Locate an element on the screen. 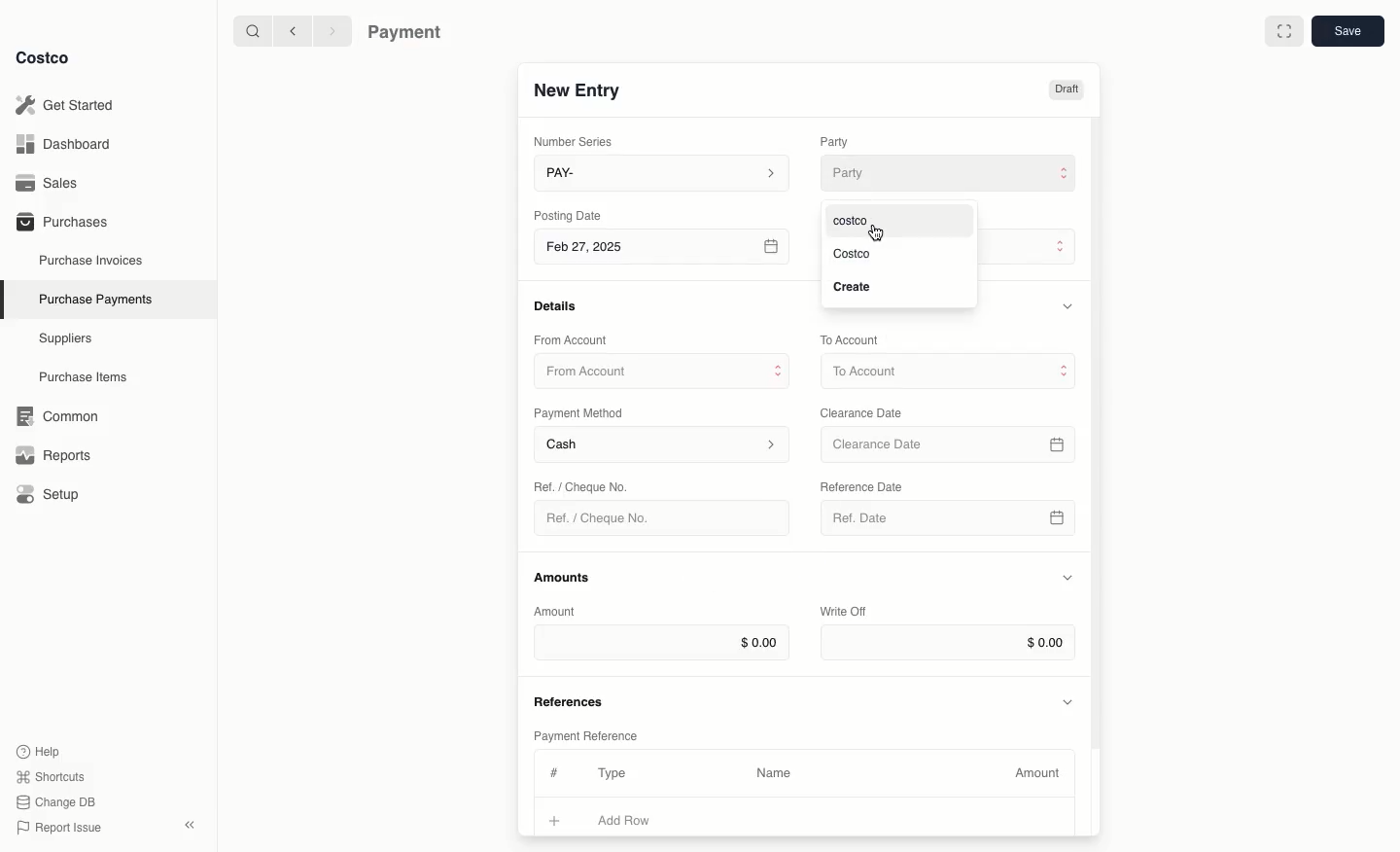 This screenshot has height=852, width=1400. Payment Method is located at coordinates (580, 412).